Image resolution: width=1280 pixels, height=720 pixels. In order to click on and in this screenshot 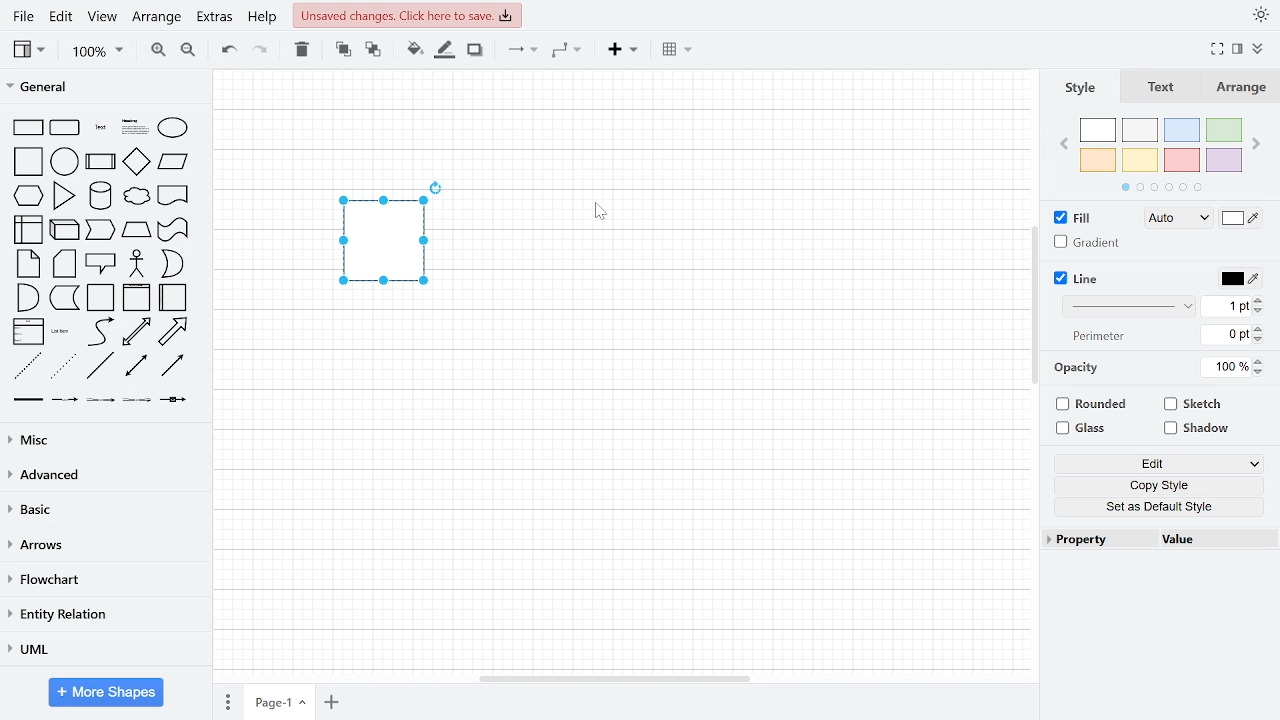, I will do `click(27, 297)`.